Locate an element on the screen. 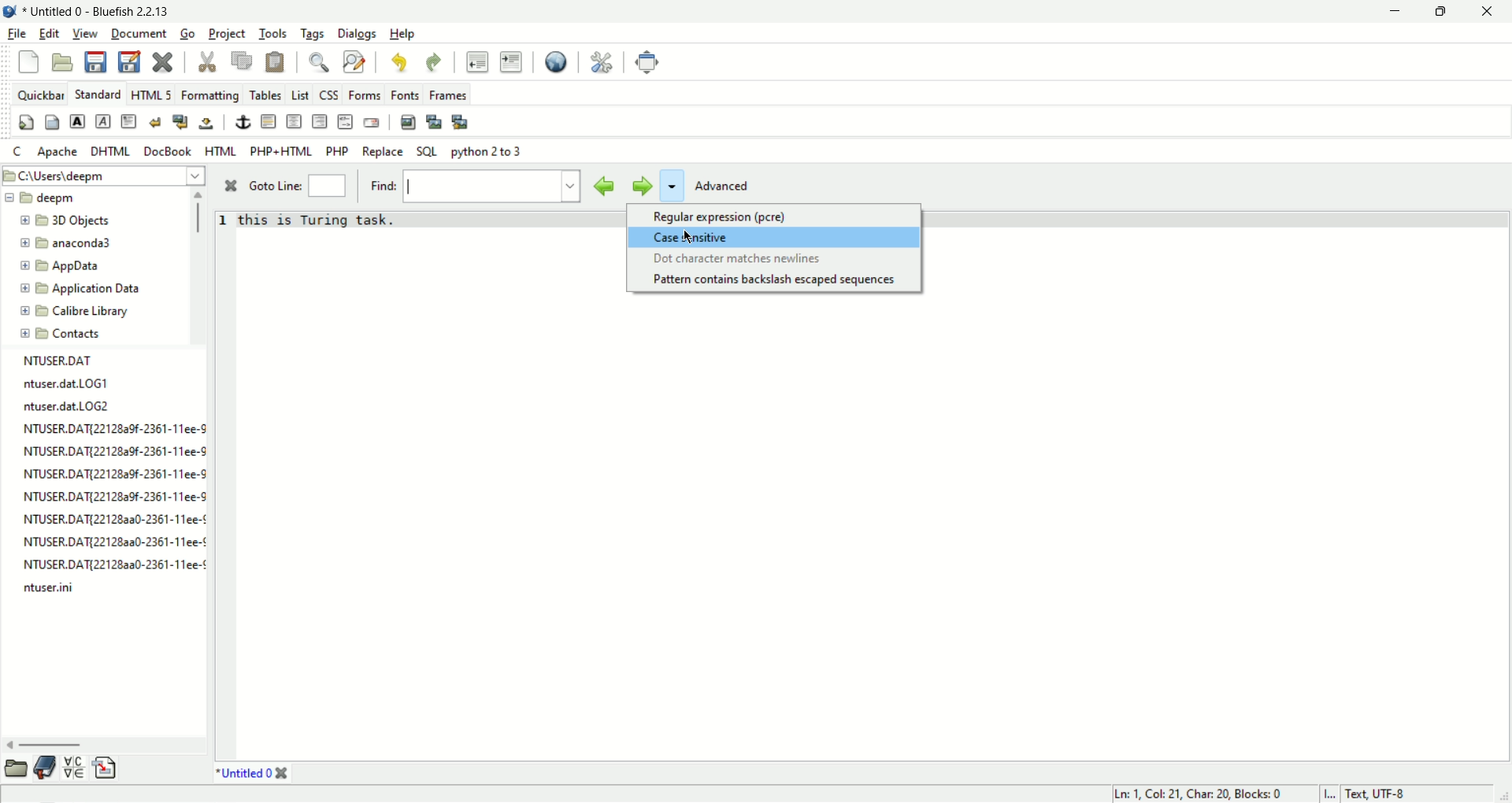 This screenshot has width=1512, height=803. close is located at coordinates (282, 774).